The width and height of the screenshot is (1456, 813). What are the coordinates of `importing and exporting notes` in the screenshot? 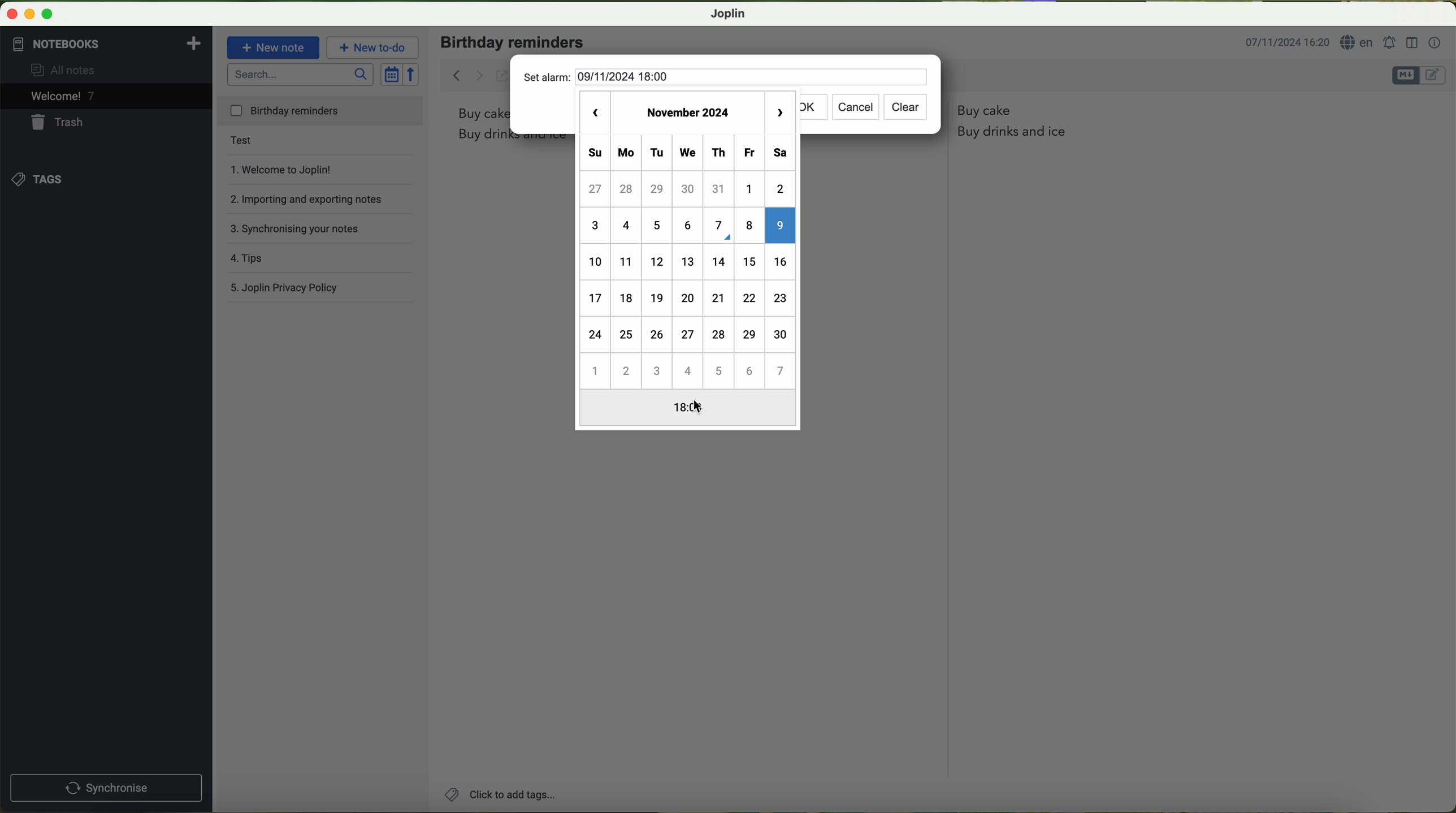 It's located at (312, 196).